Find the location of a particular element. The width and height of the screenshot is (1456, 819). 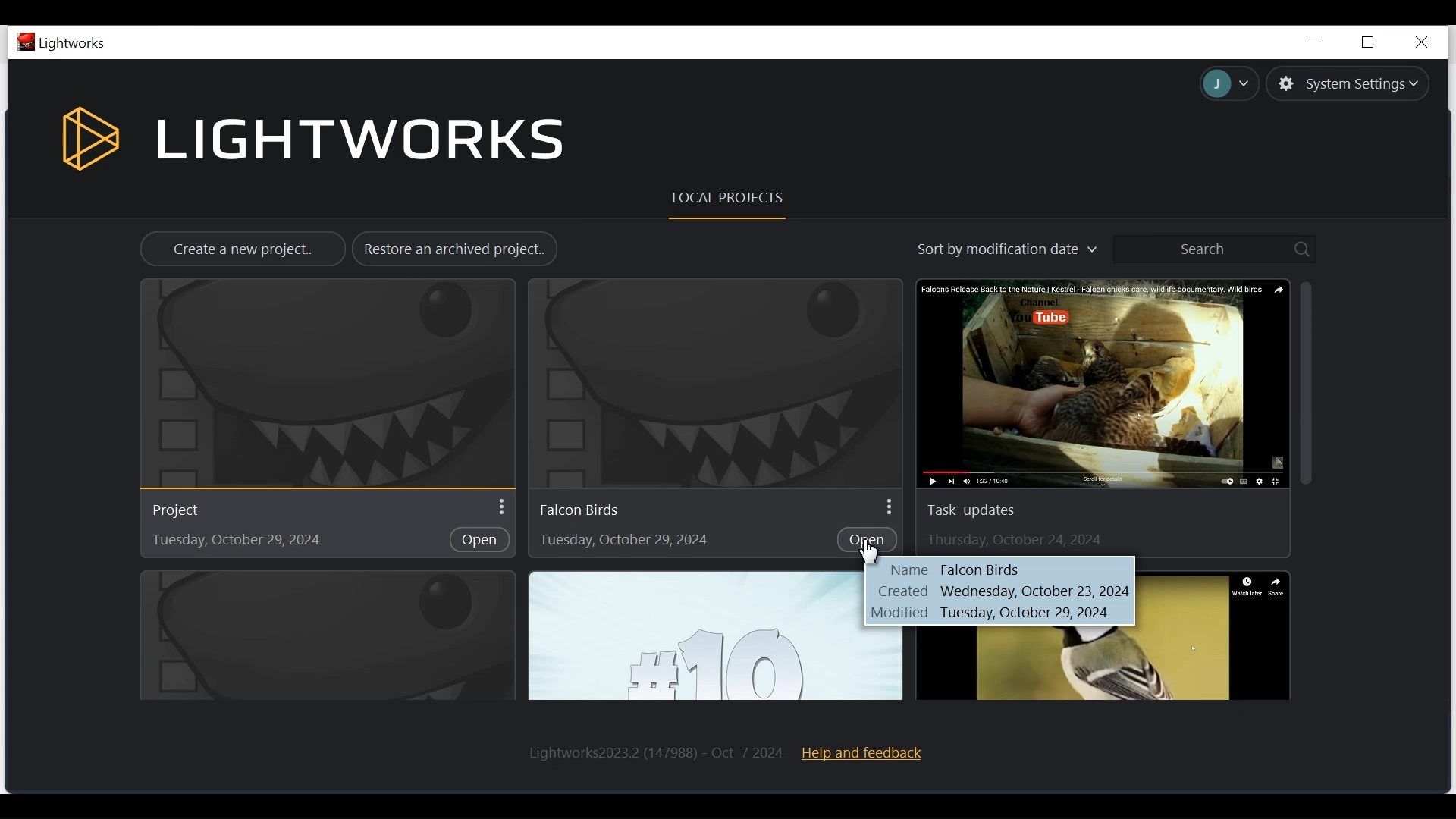

Falcon is located at coordinates (588, 511).